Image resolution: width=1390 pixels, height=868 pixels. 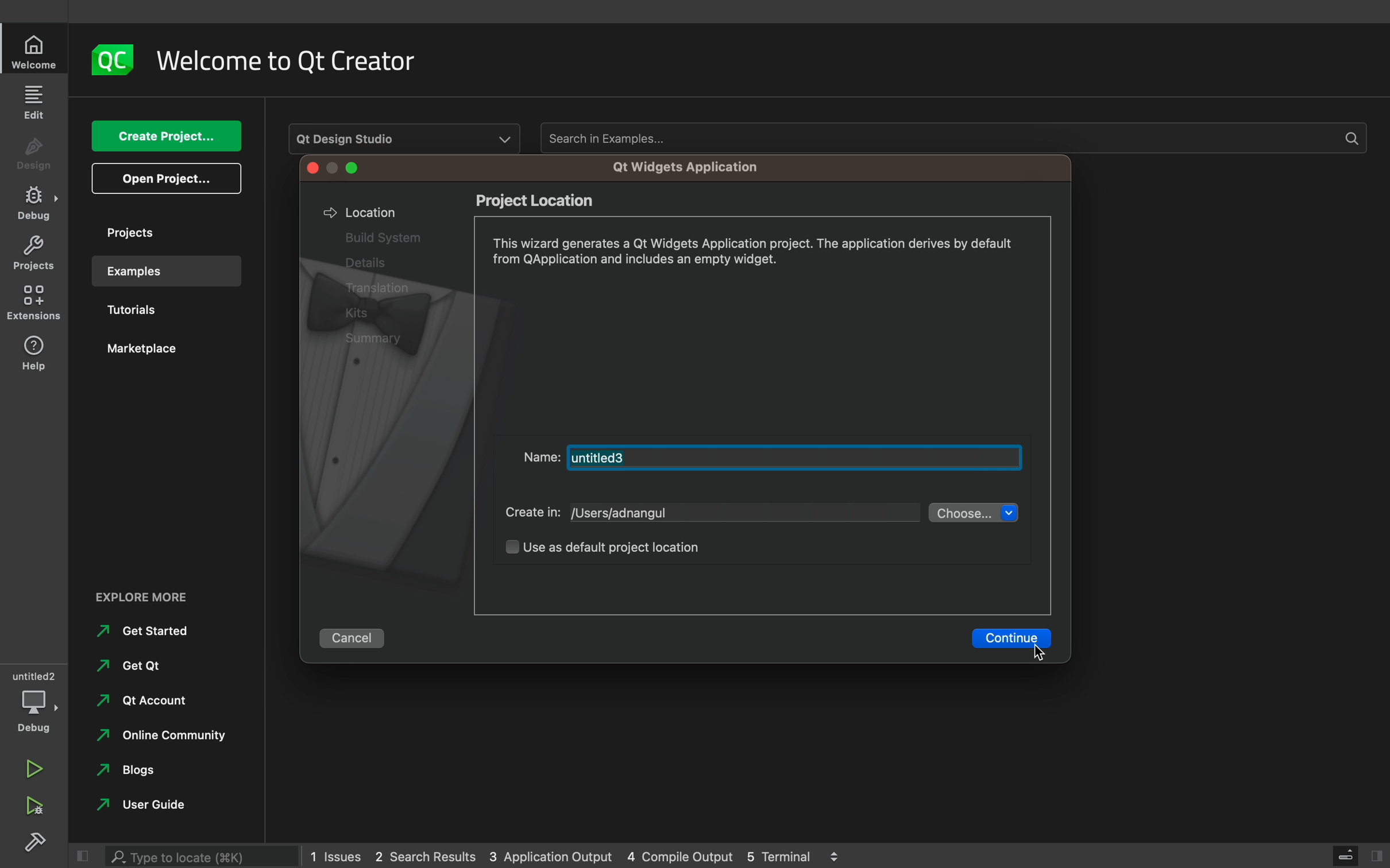 I want to click on seach bar, so click(x=204, y=854).